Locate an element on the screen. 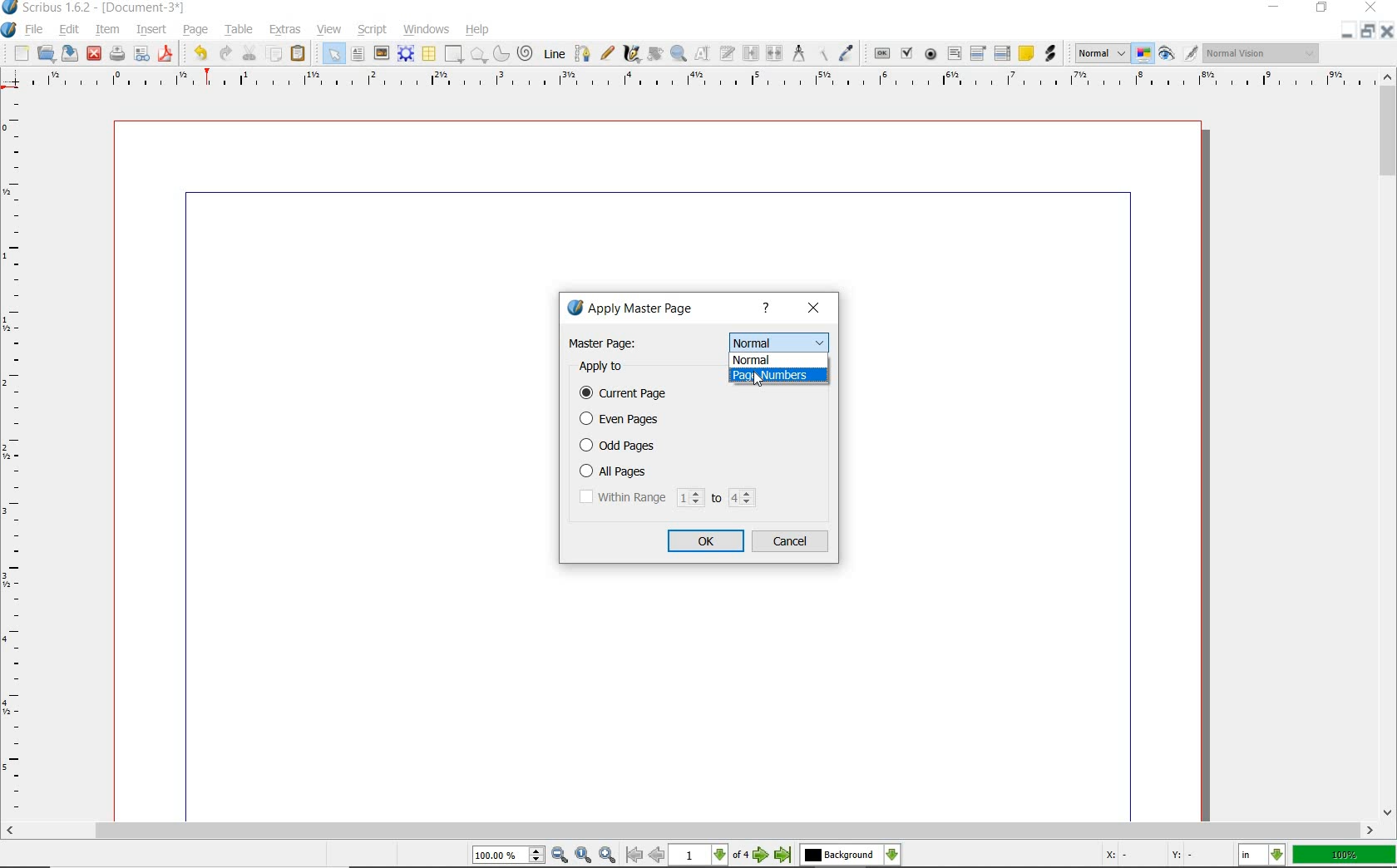 Image resolution: width=1397 pixels, height=868 pixels. measurements is located at coordinates (797, 54).